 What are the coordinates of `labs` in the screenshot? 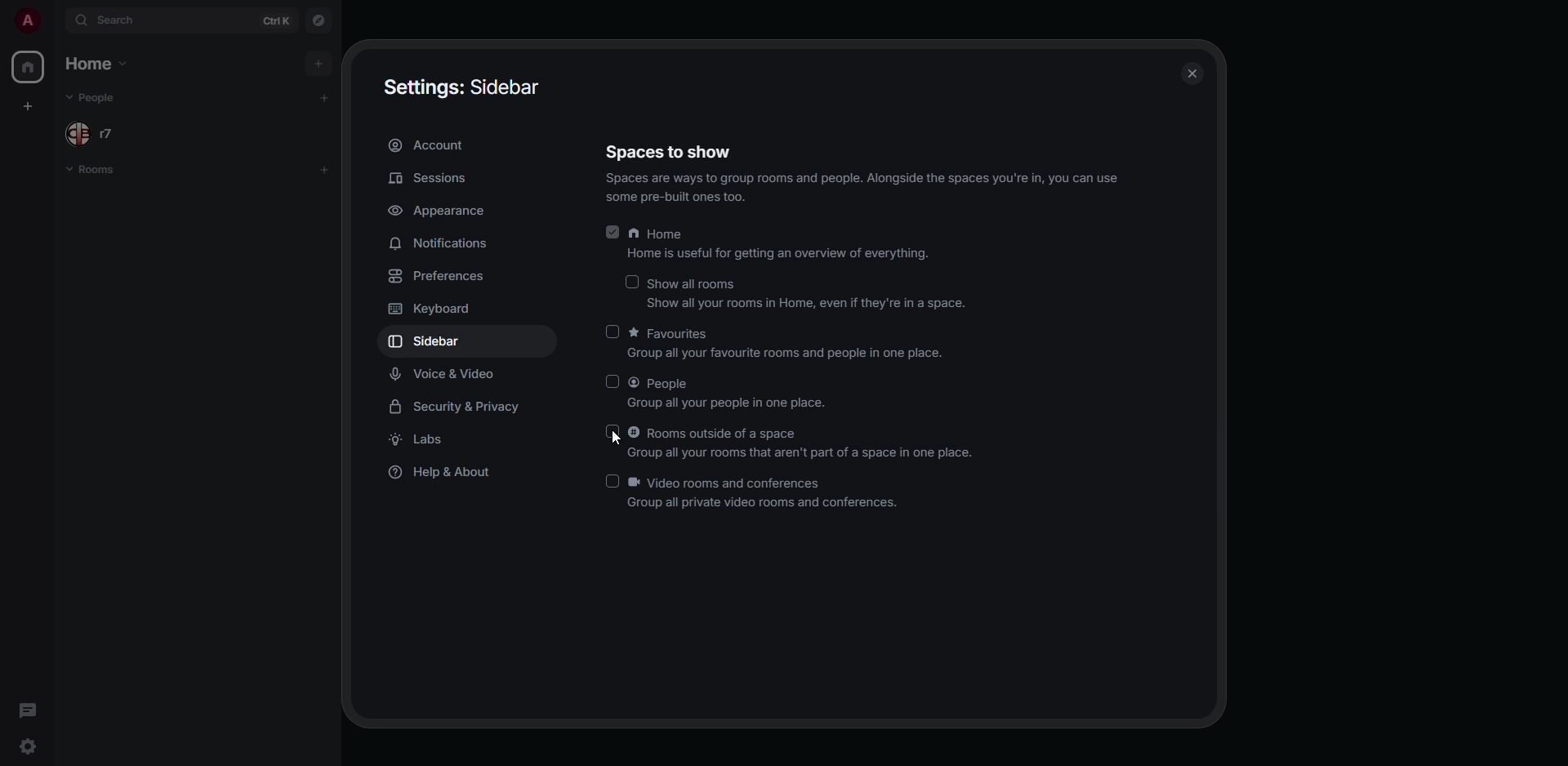 It's located at (415, 440).